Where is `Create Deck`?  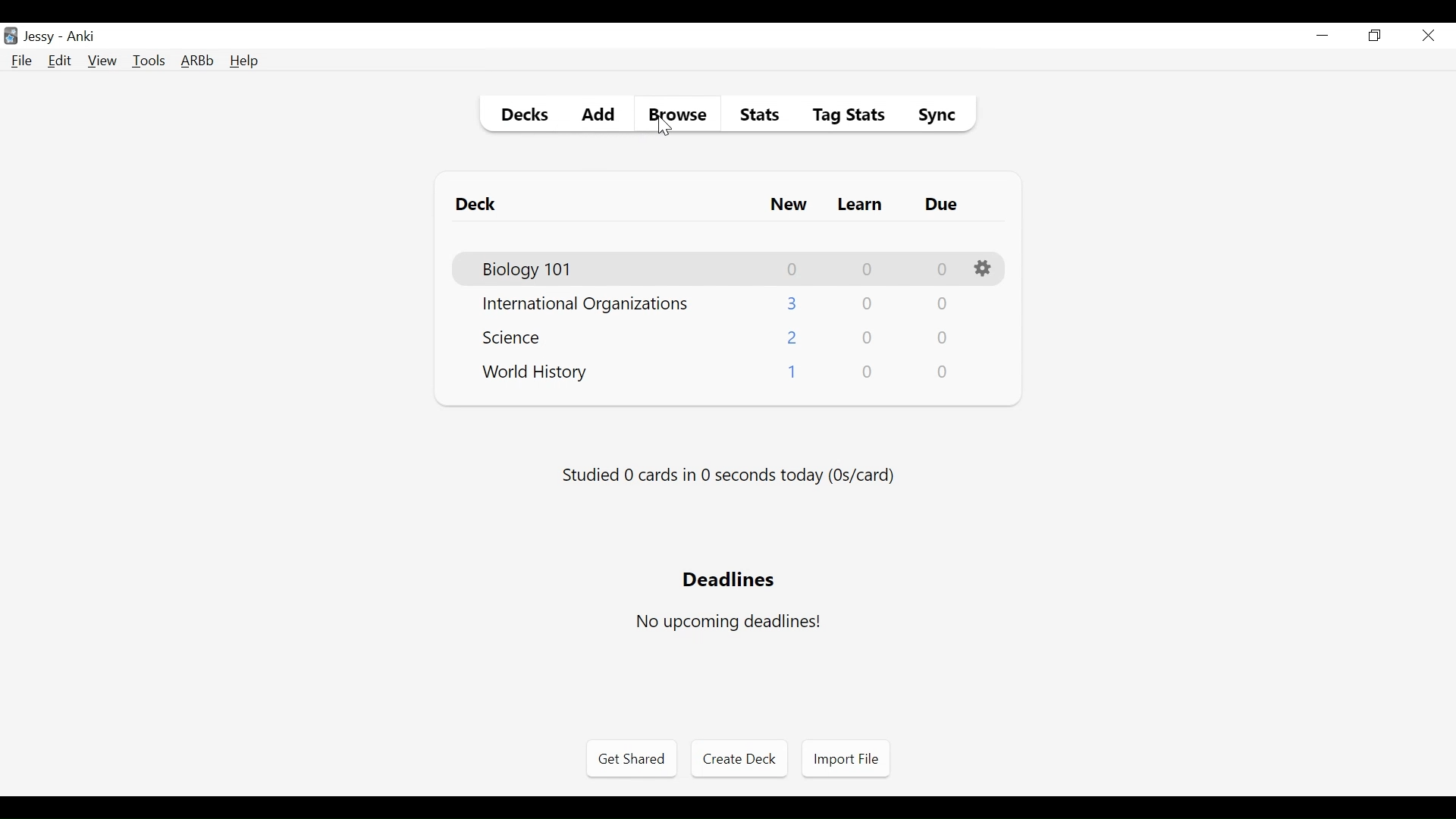 Create Deck is located at coordinates (736, 758).